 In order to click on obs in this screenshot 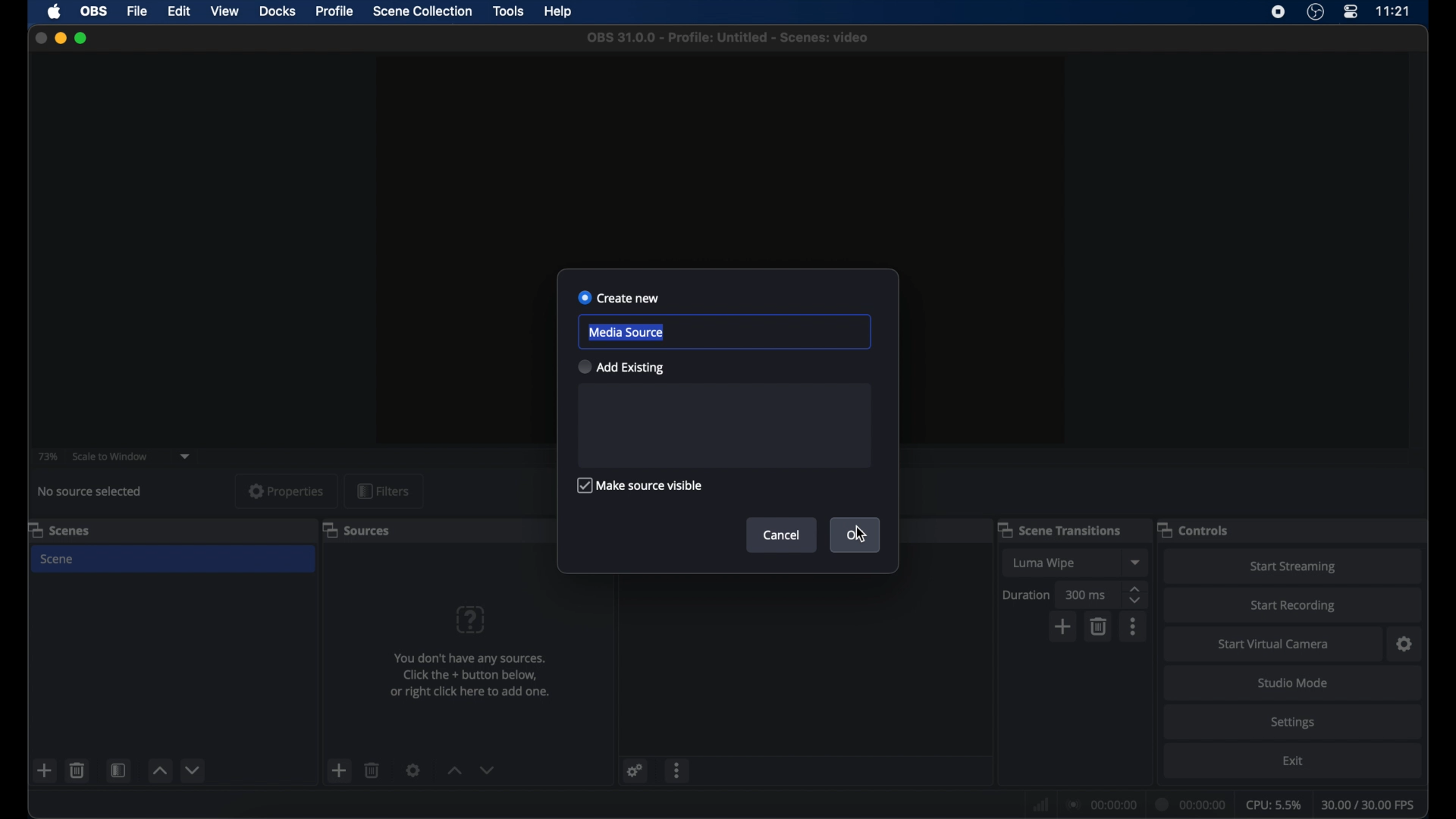, I will do `click(96, 11)`.